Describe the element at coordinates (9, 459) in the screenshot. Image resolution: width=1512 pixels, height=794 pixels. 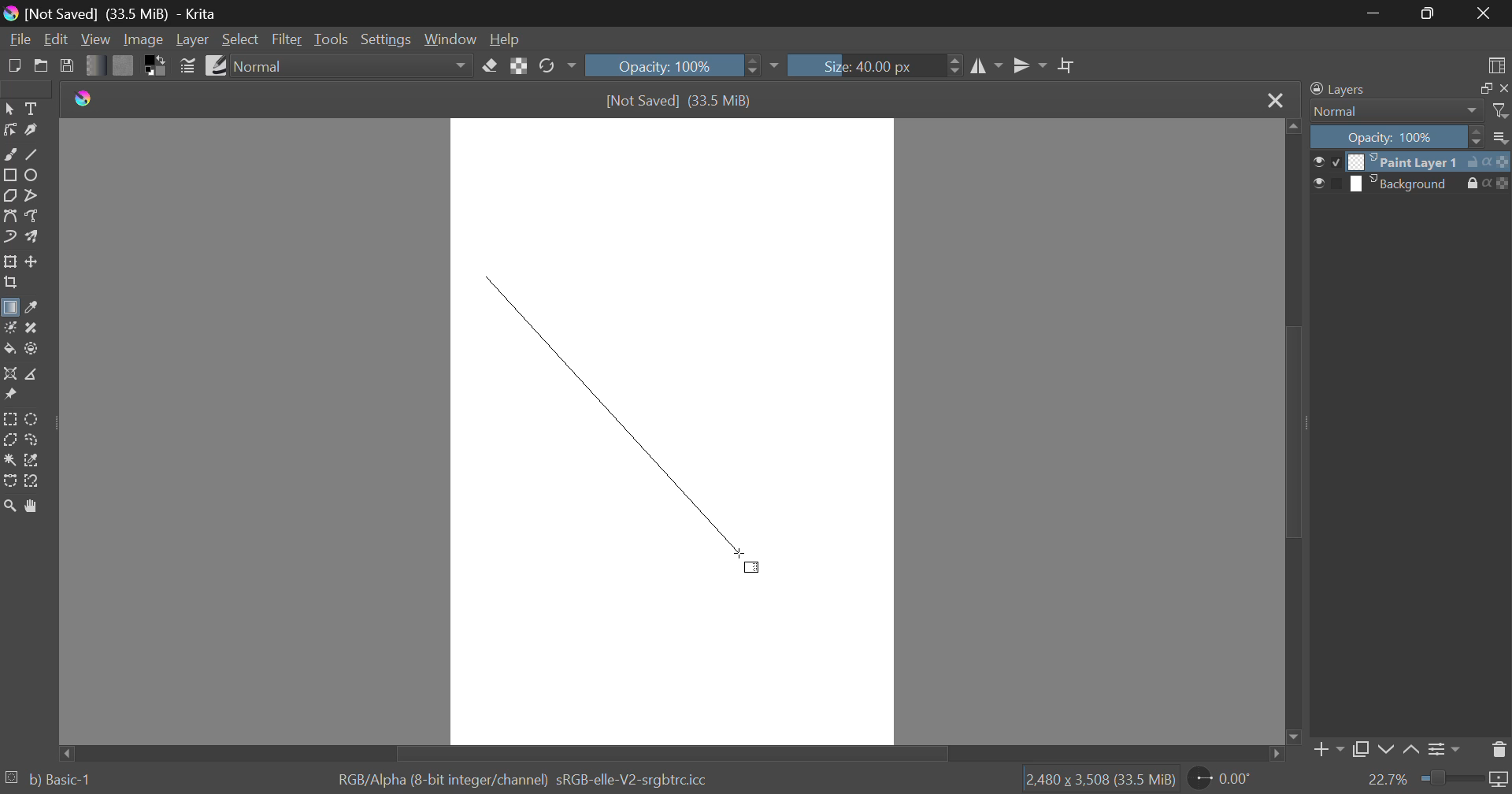
I see `Continuous Selection` at that location.